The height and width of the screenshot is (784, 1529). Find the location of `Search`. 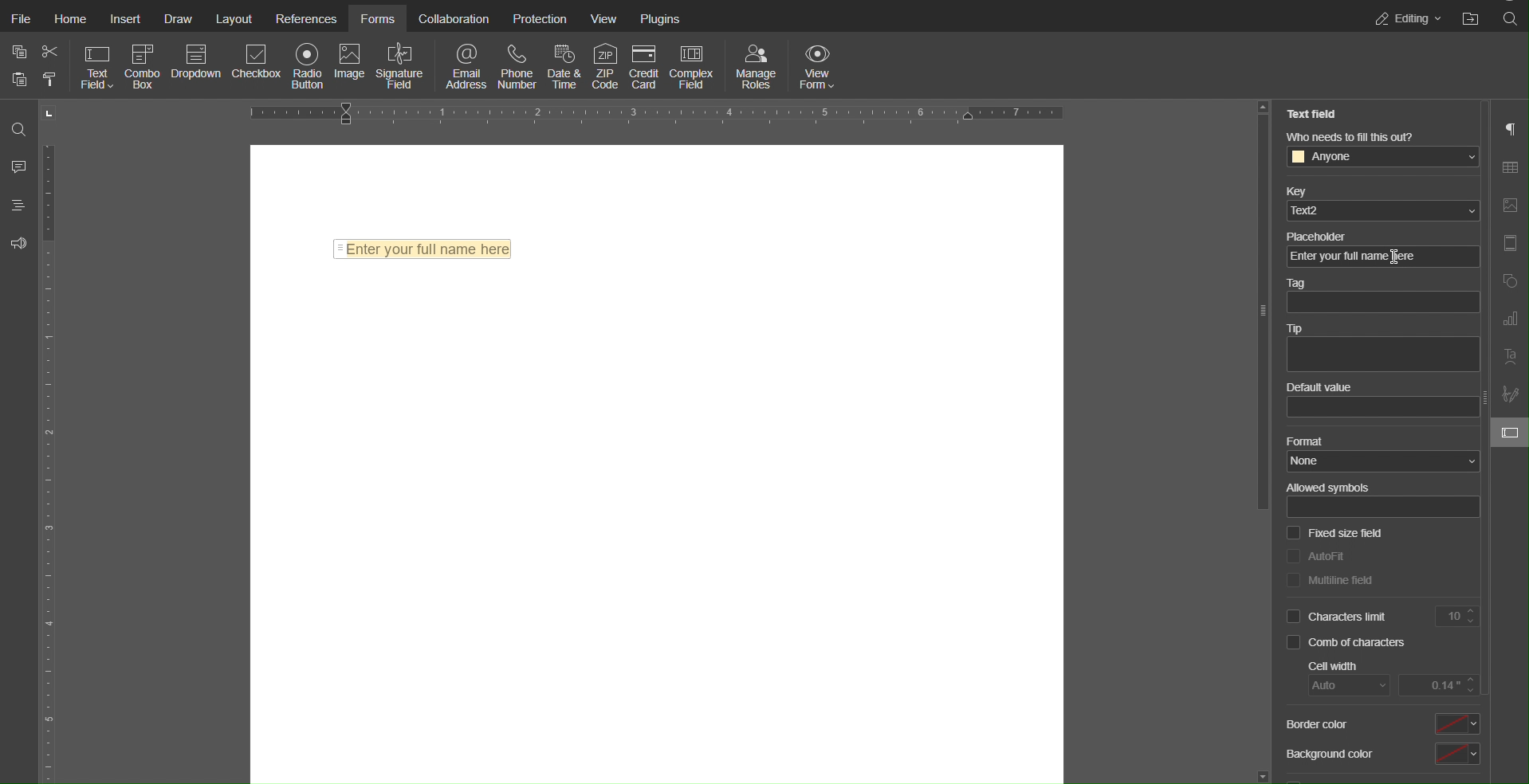

Search is located at coordinates (21, 128).